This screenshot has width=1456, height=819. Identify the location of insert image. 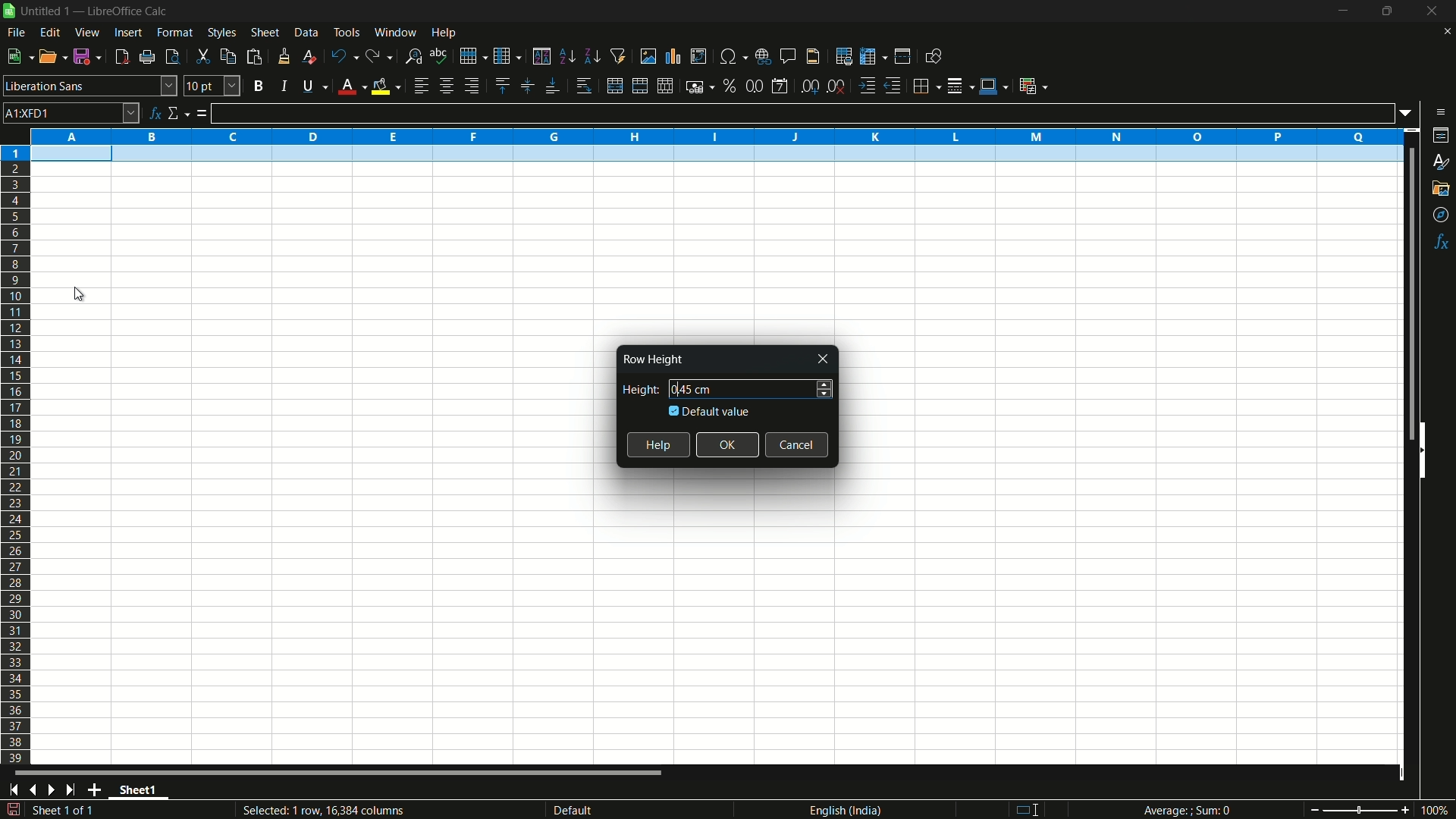
(648, 55).